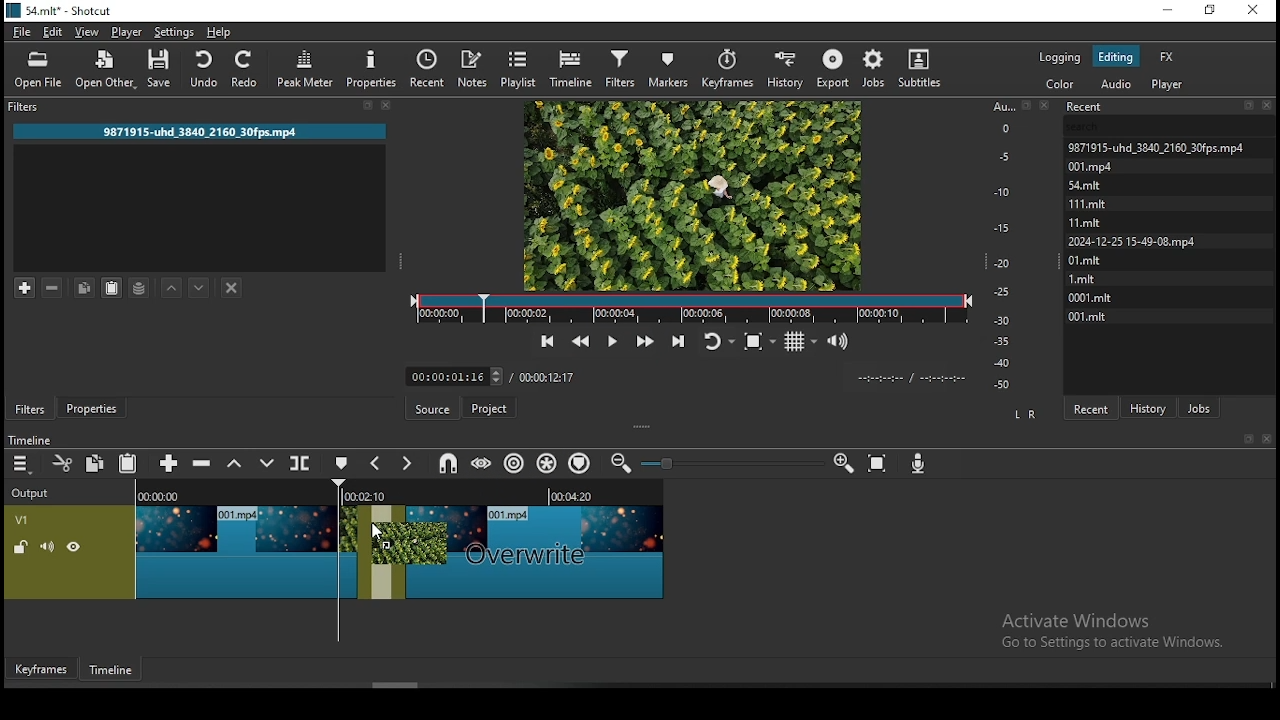 The image size is (1280, 720). Describe the element at coordinates (22, 547) in the screenshot. I see `(un)locked` at that location.